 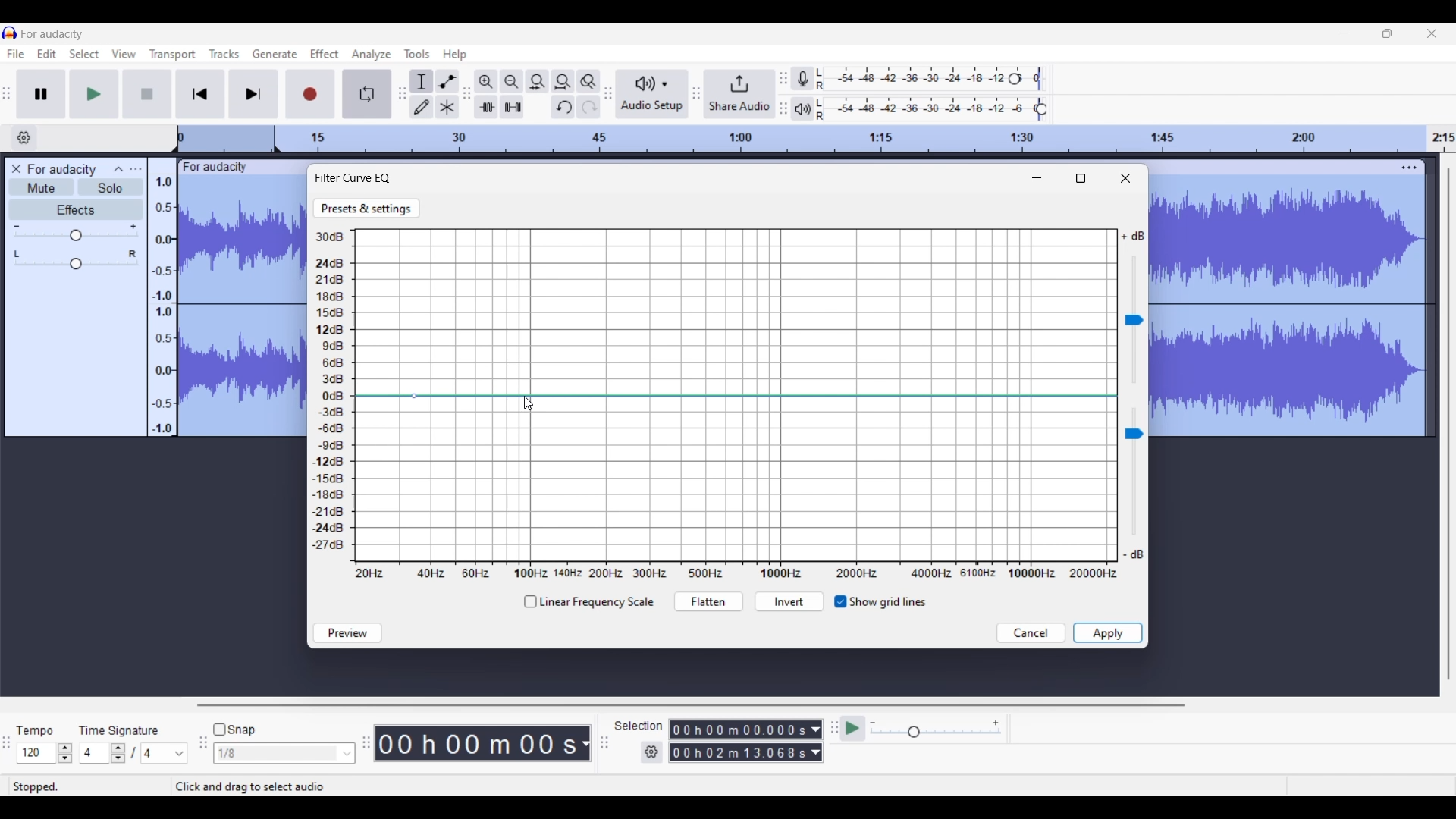 I want to click on Selection settings, so click(x=651, y=752).